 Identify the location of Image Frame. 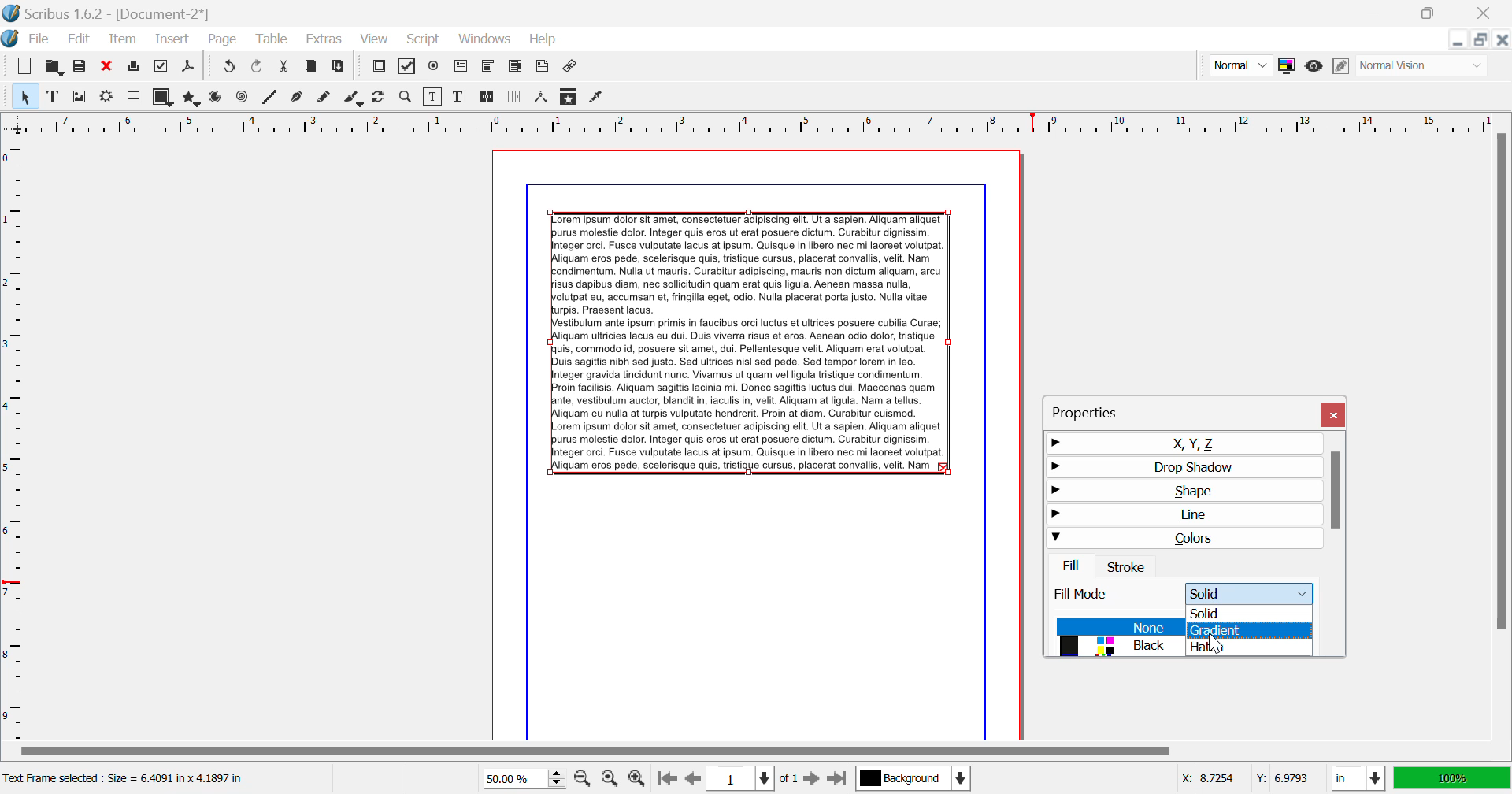
(79, 96).